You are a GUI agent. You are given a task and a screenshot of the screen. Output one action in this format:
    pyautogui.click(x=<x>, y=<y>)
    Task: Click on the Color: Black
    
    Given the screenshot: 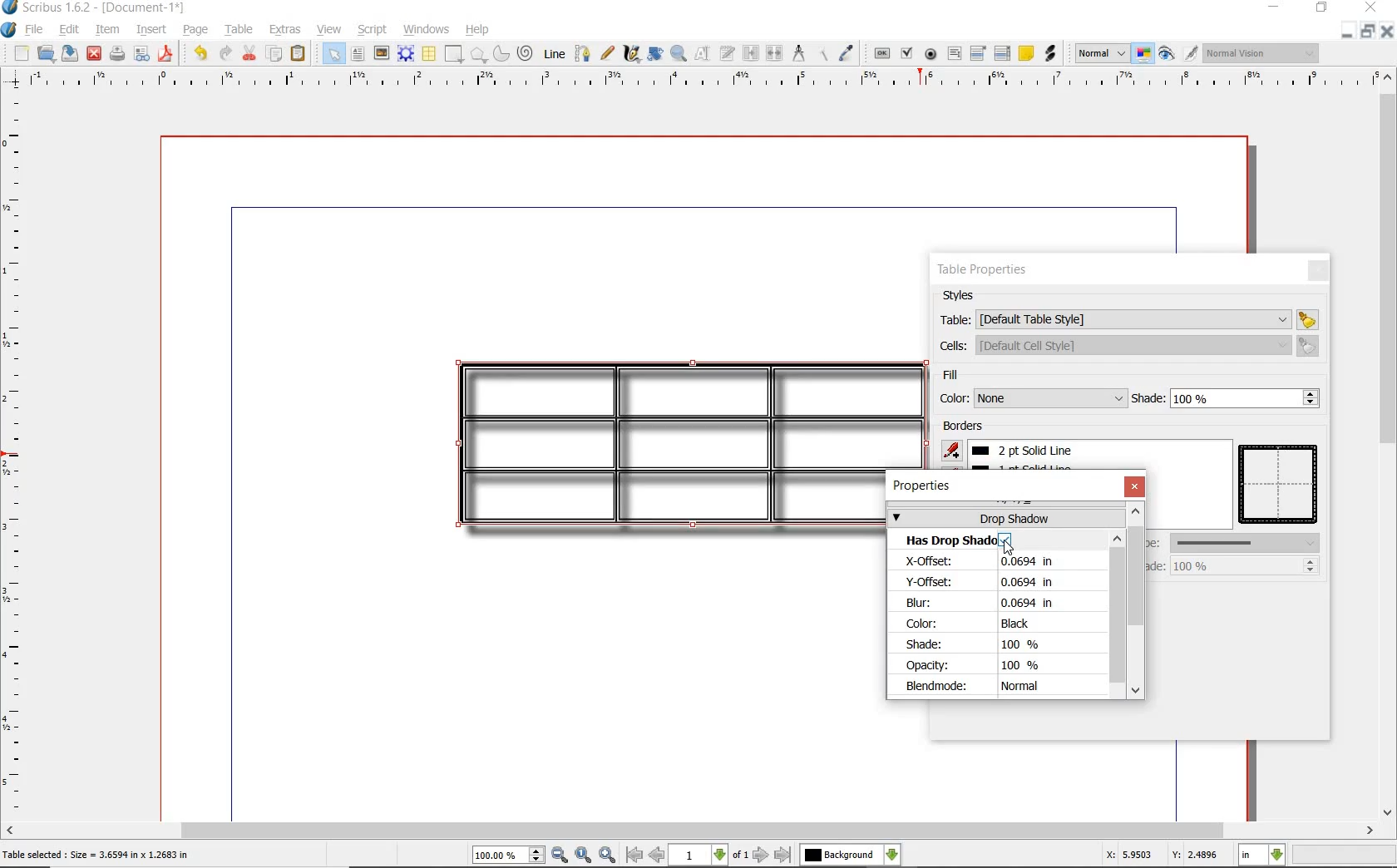 What is the action you would take?
    pyautogui.click(x=985, y=624)
    